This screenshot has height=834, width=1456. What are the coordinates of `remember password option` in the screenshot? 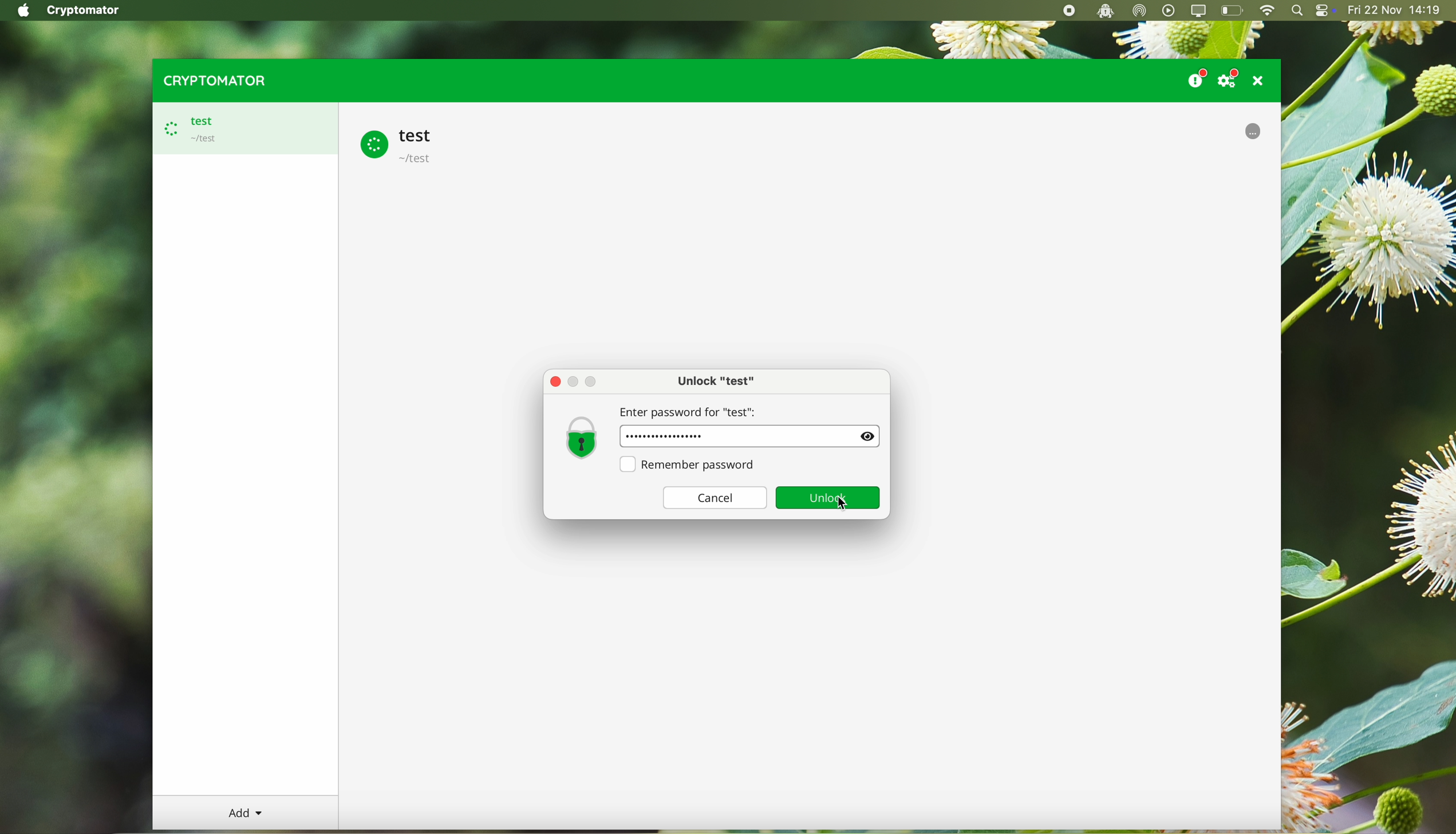 It's located at (692, 465).